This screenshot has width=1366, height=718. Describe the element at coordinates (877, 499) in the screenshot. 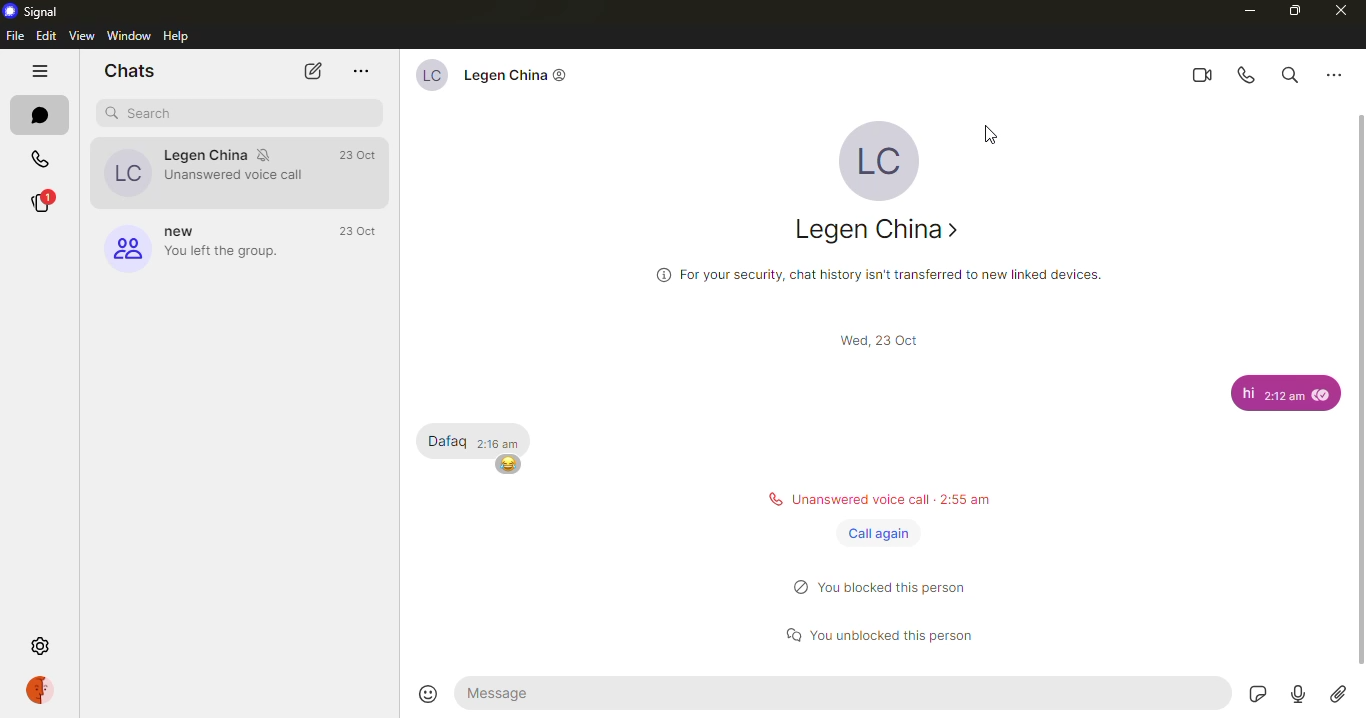

I see `status message` at that location.